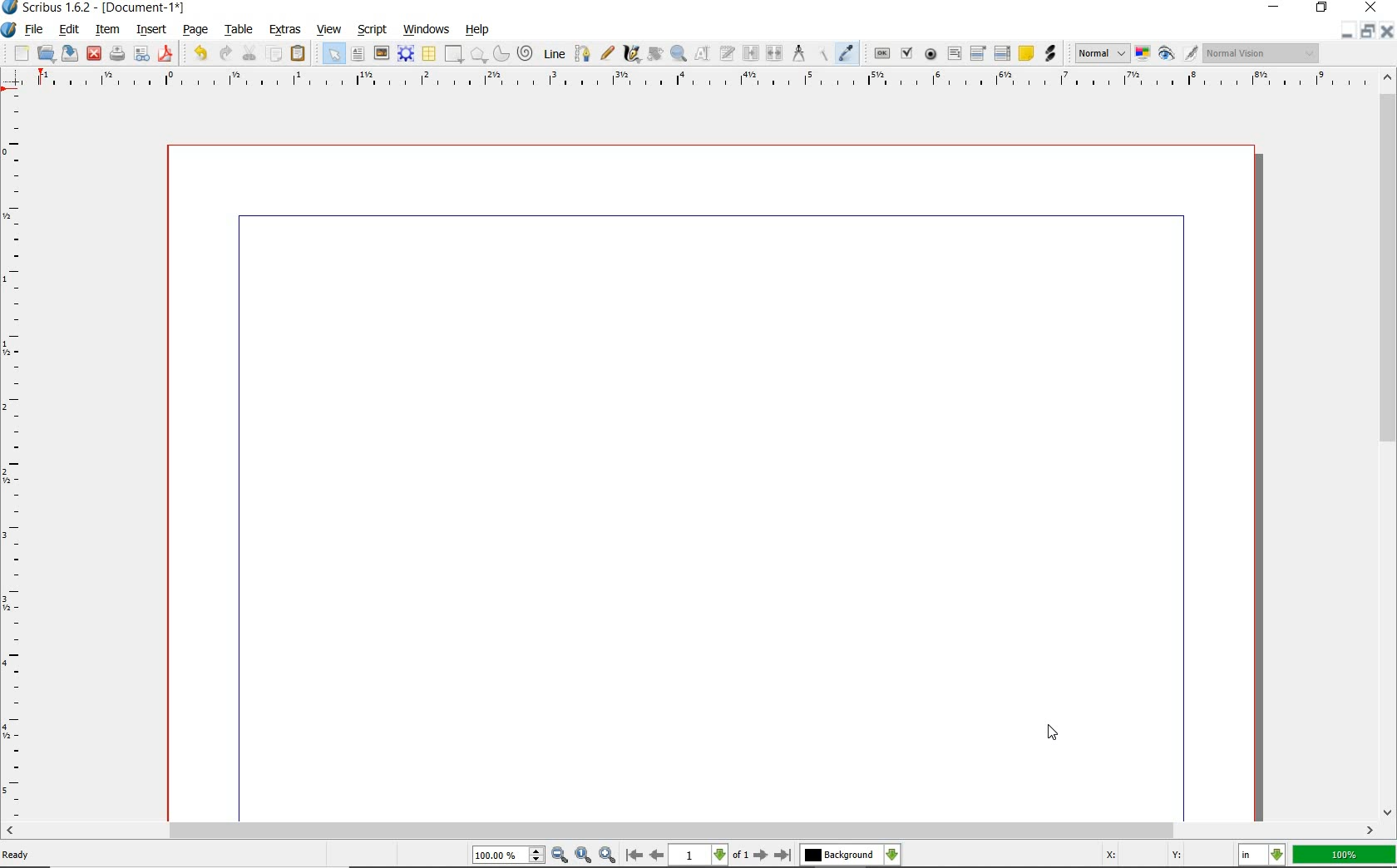 The width and height of the screenshot is (1397, 868). What do you see at coordinates (583, 54) in the screenshot?
I see `Bezier curve` at bounding box center [583, 54].